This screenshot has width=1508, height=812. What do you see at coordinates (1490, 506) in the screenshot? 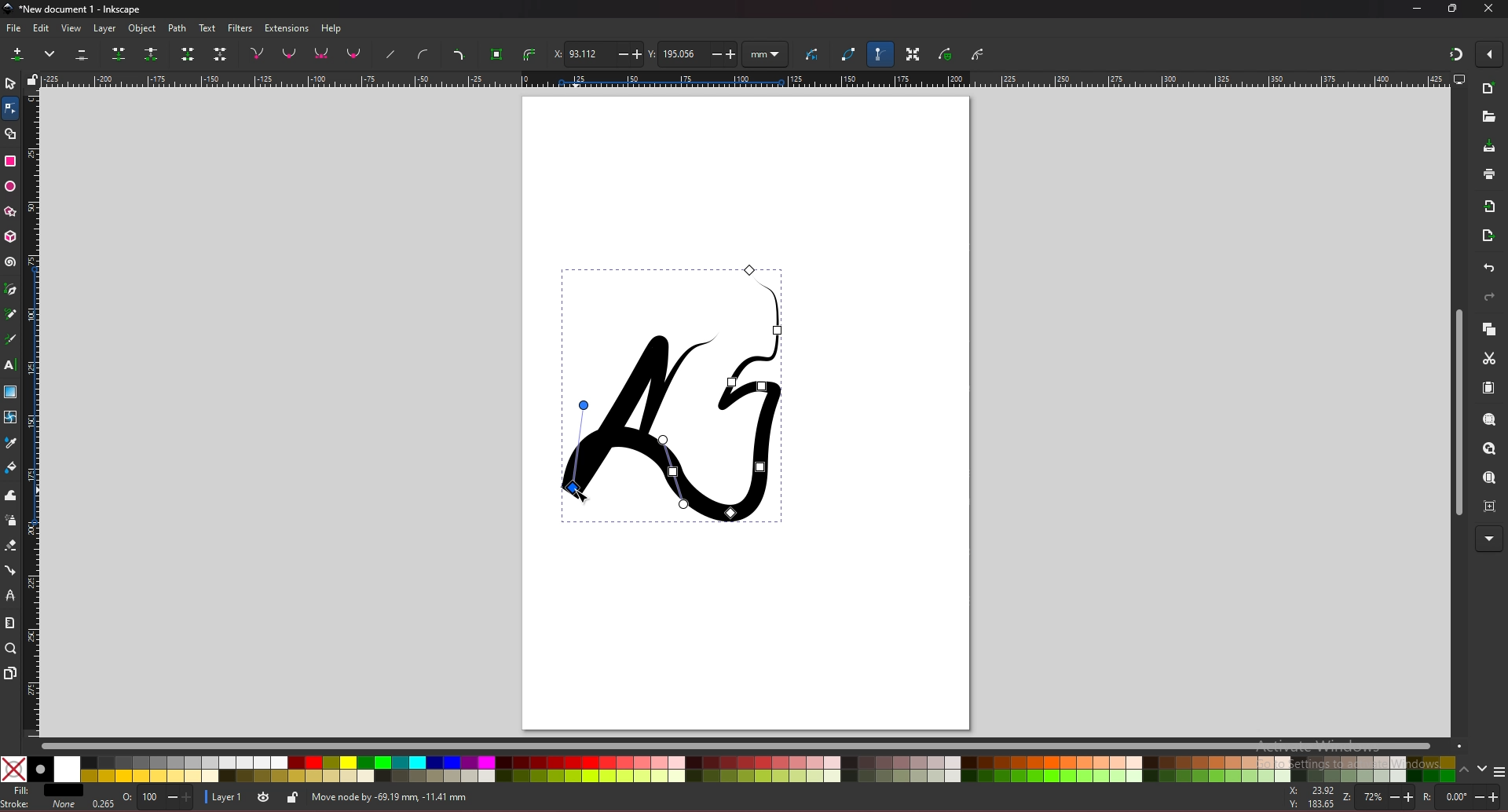
I see `zoom centre page` at bounding box center [1490, 506].